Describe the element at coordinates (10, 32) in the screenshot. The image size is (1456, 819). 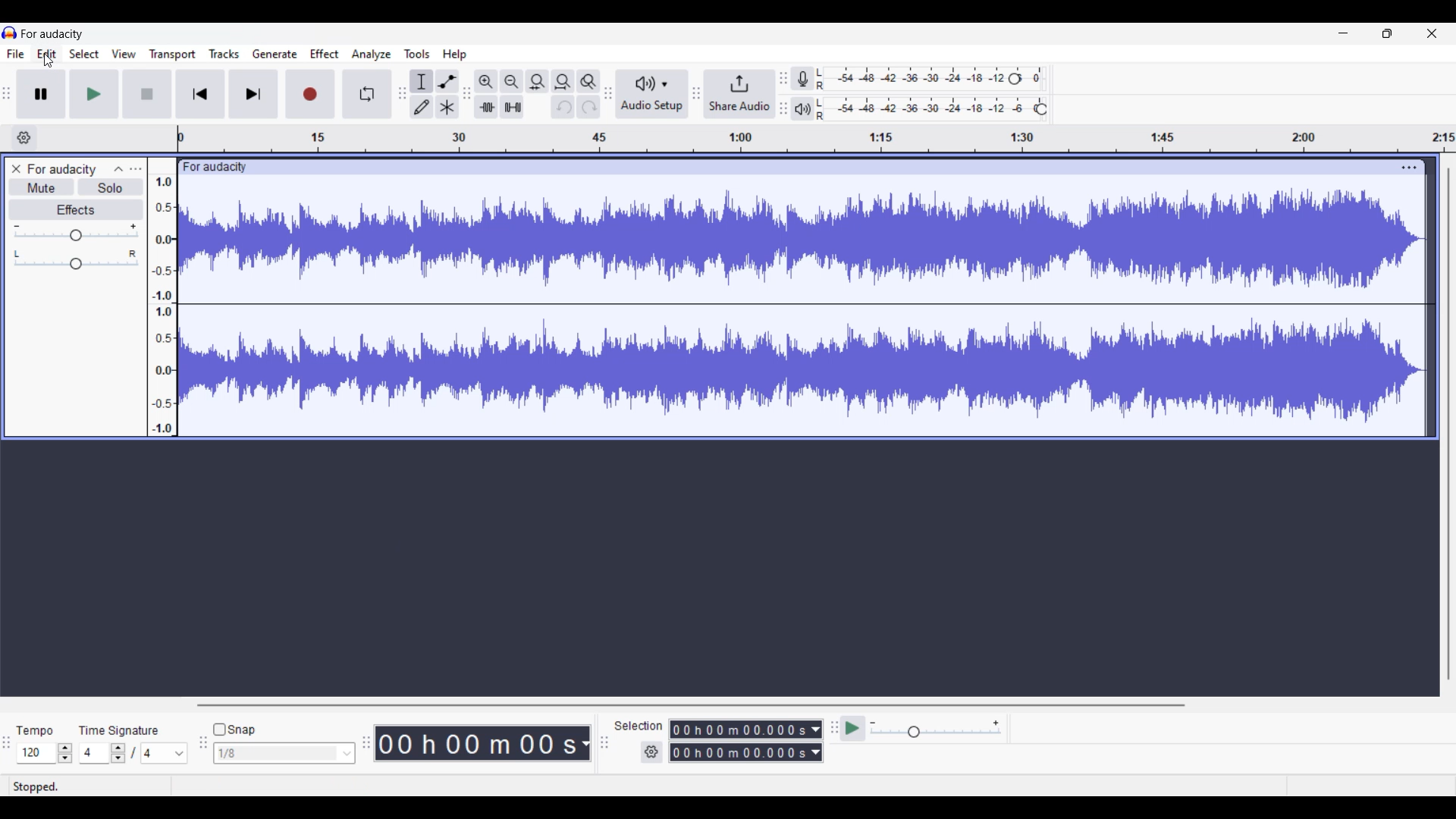
I see `Software logo` at that location.